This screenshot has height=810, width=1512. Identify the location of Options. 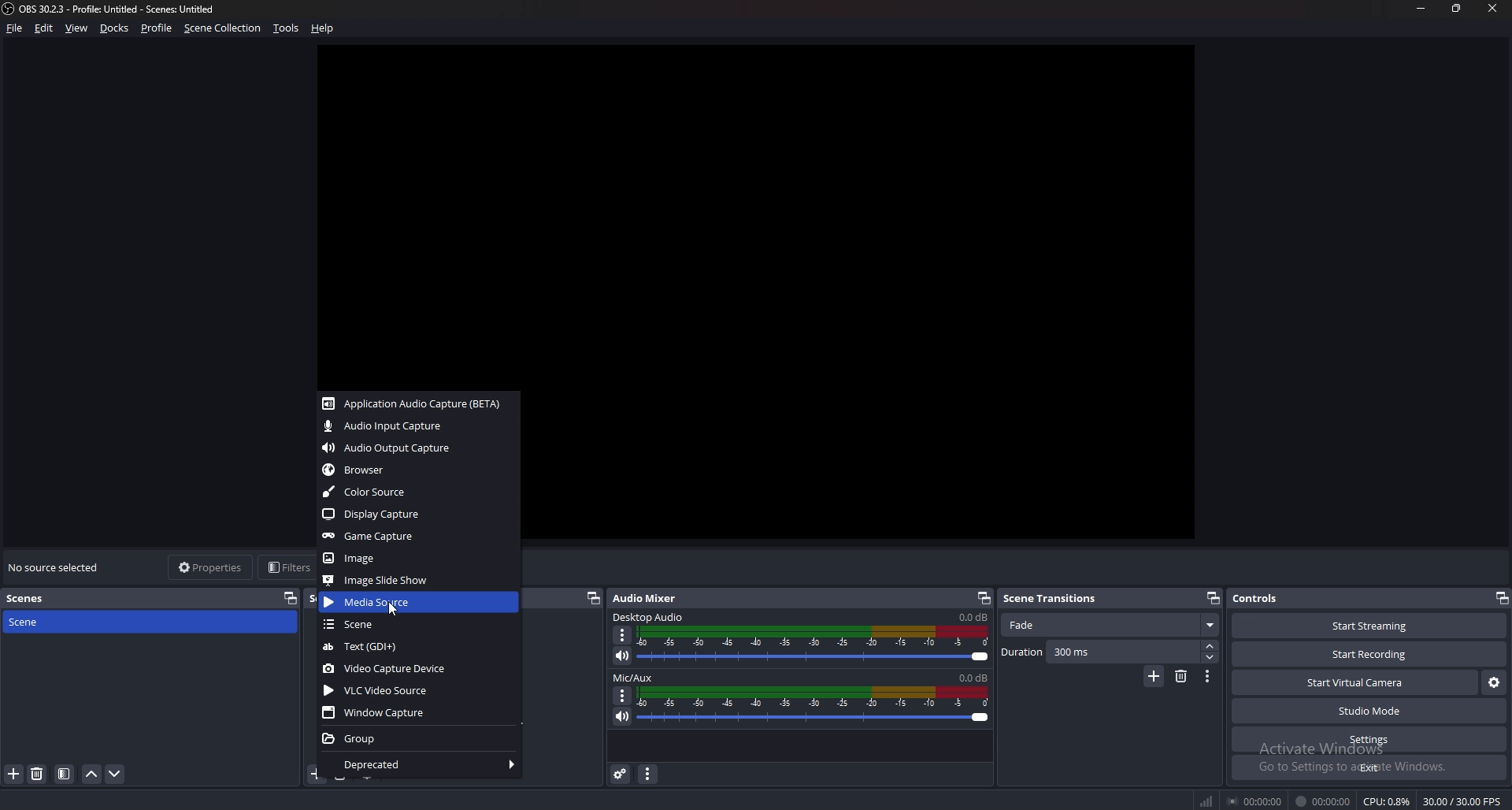
(623, 636).